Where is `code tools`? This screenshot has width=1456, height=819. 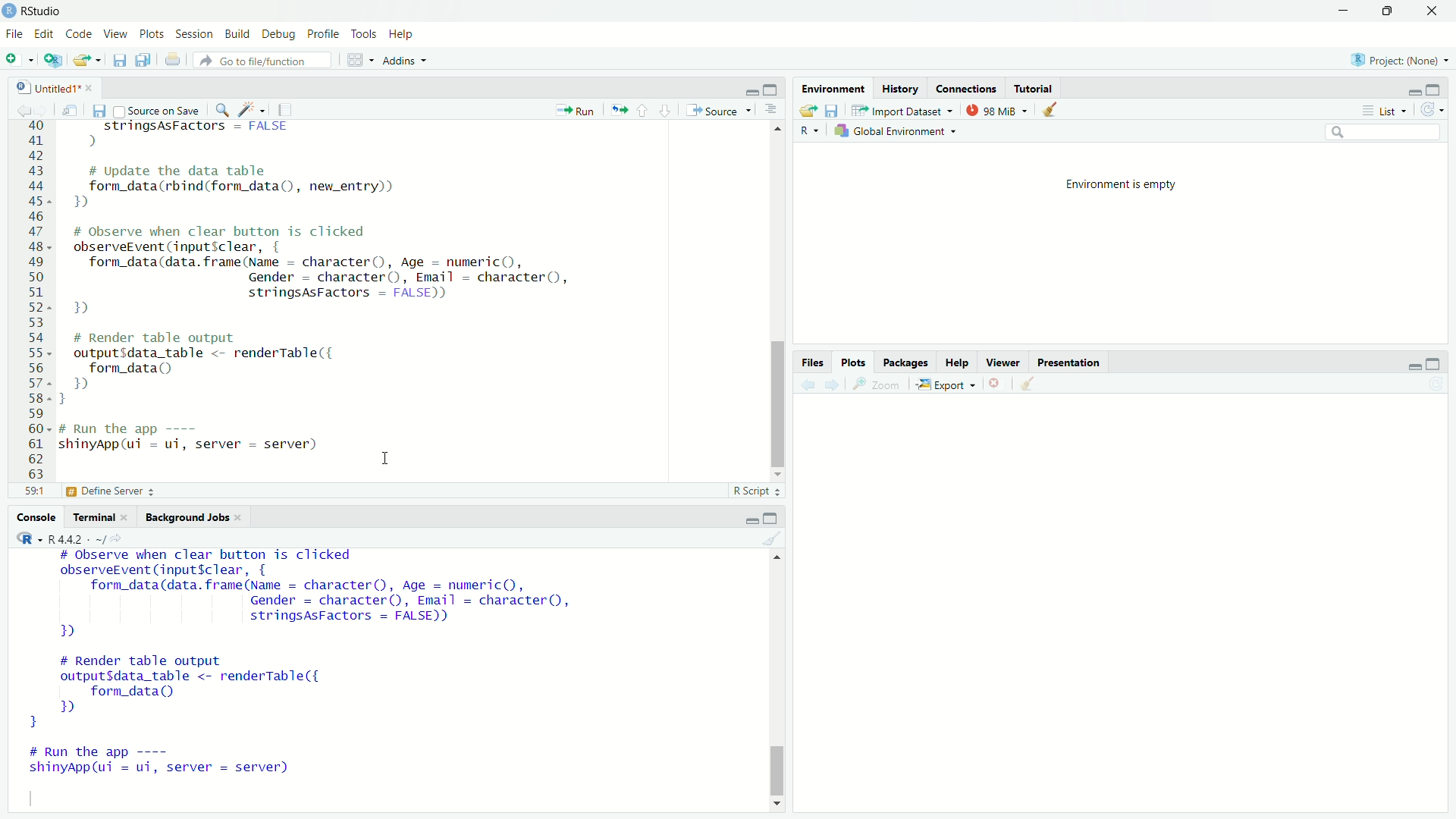
code tools is located at coordinates (252, 108).